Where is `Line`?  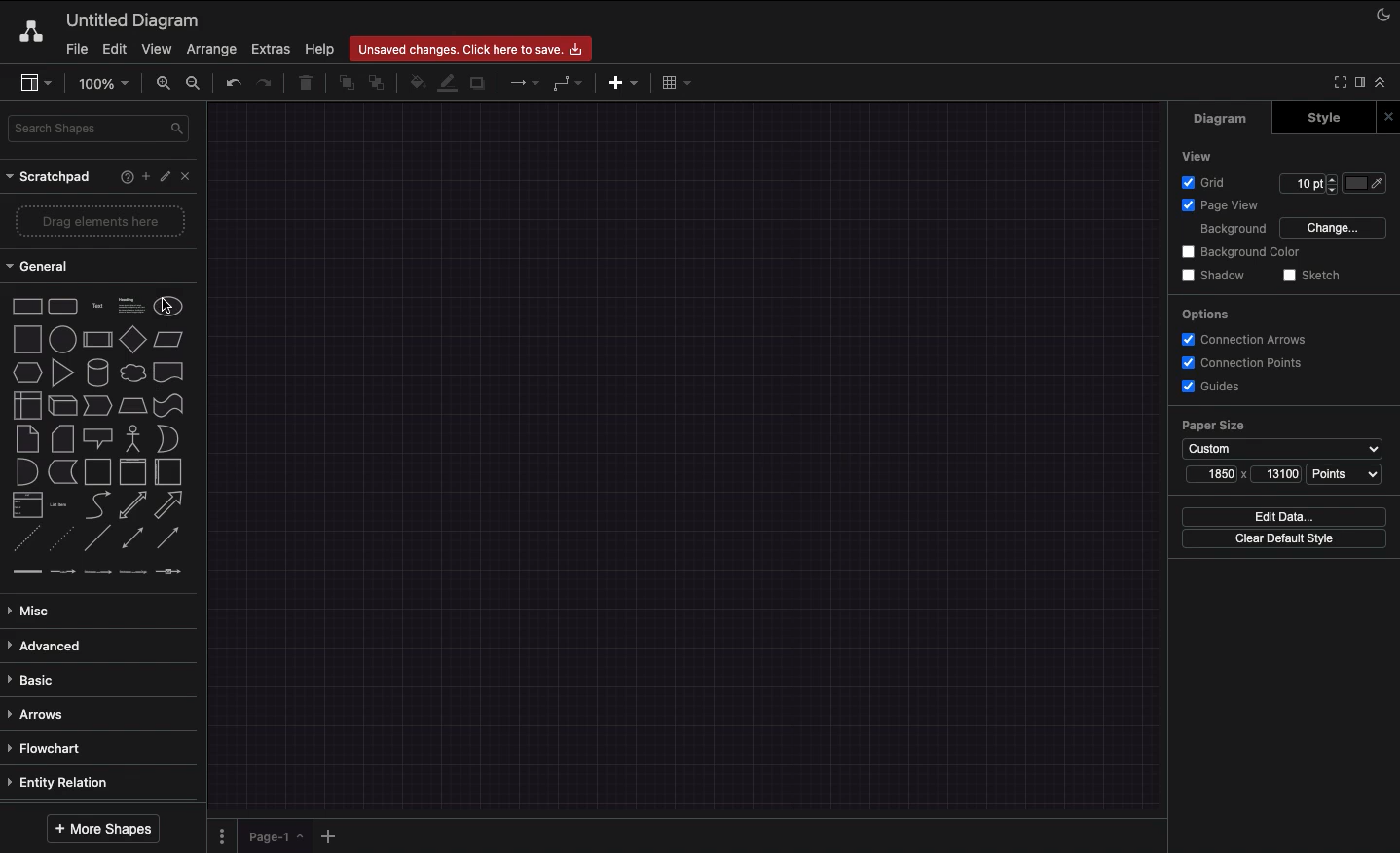 Line is located at coordinates (97, 539).